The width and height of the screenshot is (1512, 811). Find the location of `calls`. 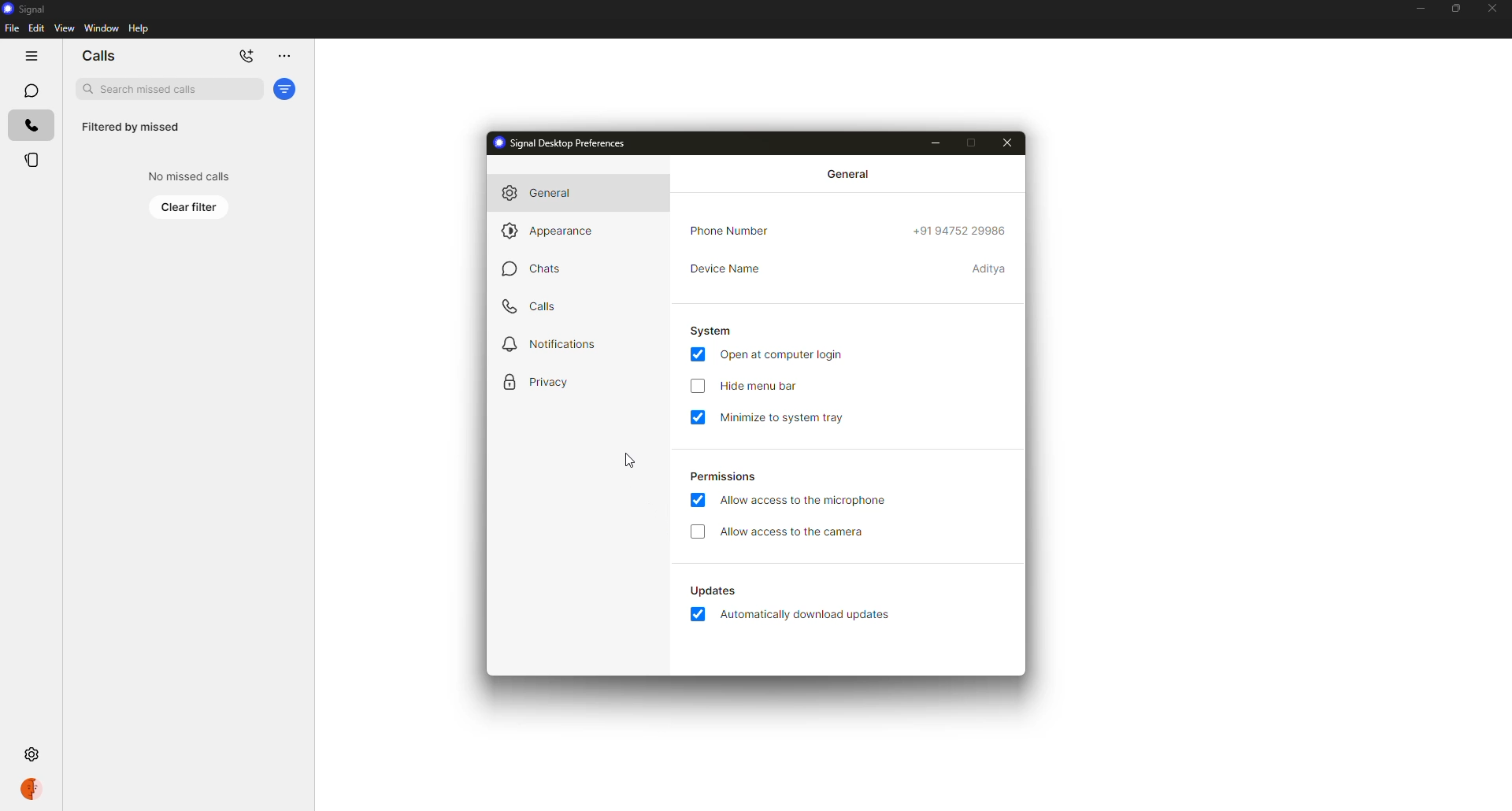

calls is located at coordinates (31, 124).